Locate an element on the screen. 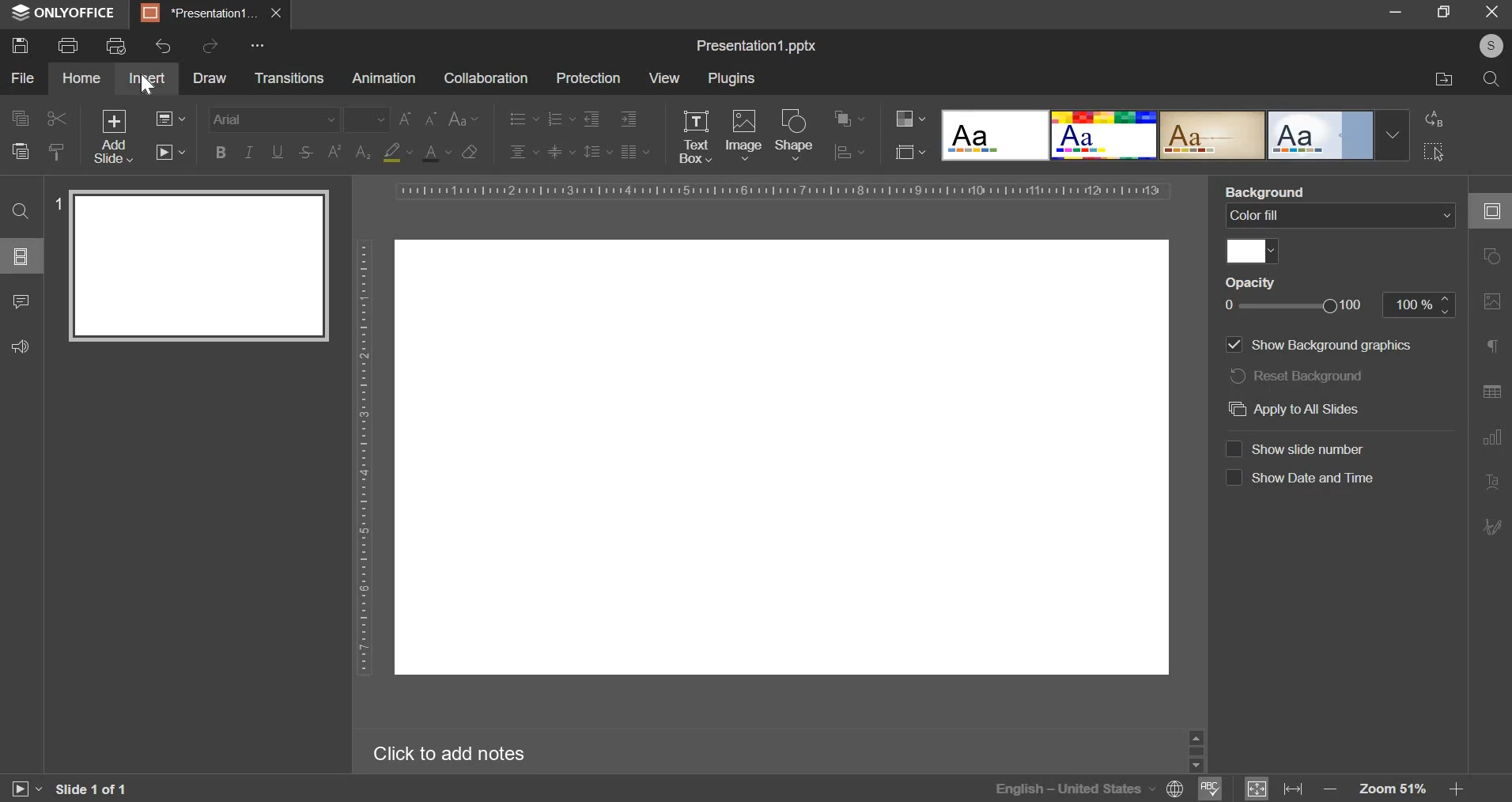  underline is located at coordinates (276, 152).